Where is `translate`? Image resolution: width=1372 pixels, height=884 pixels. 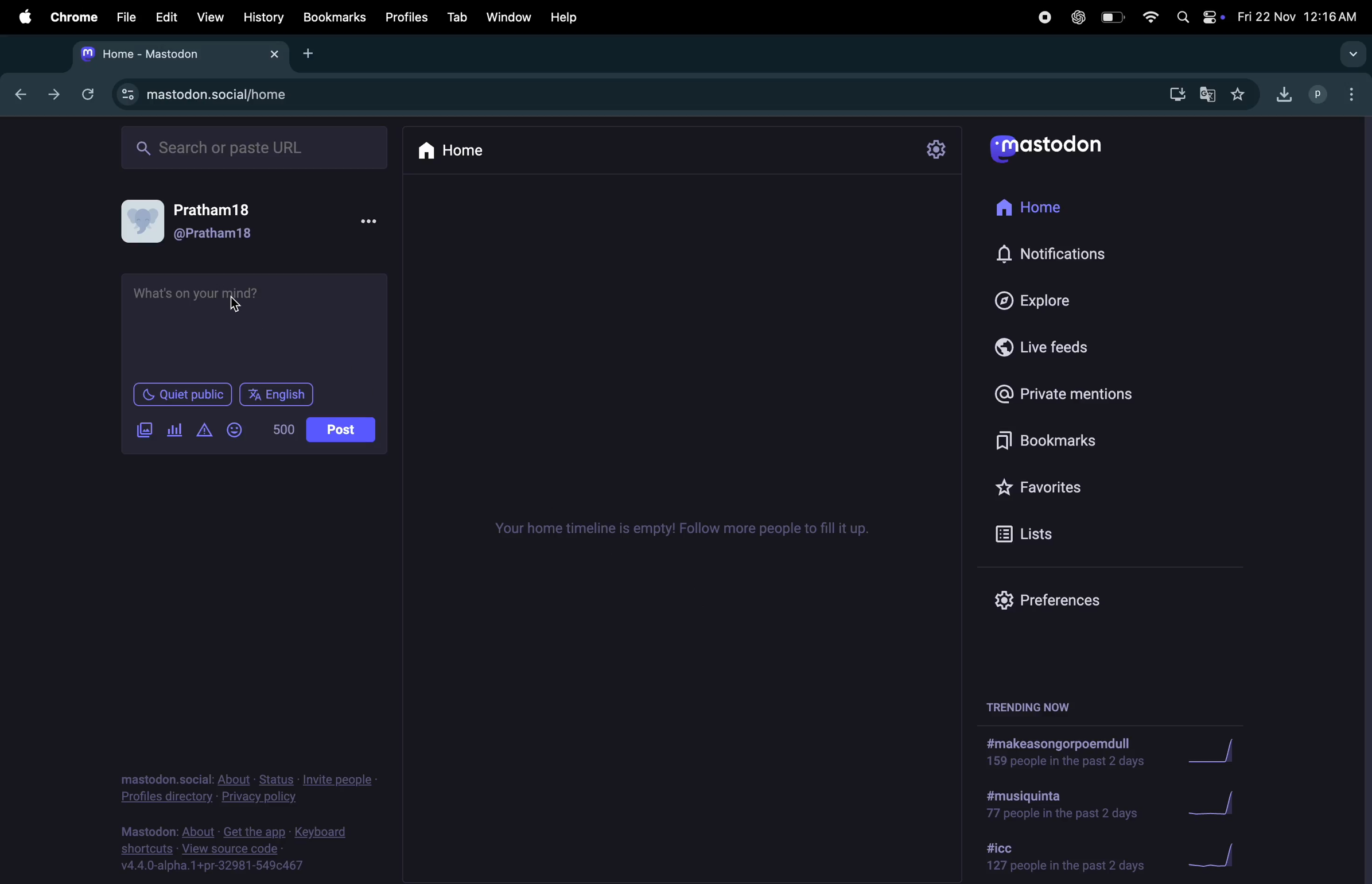 translate is located at coordinates (1207, 95).